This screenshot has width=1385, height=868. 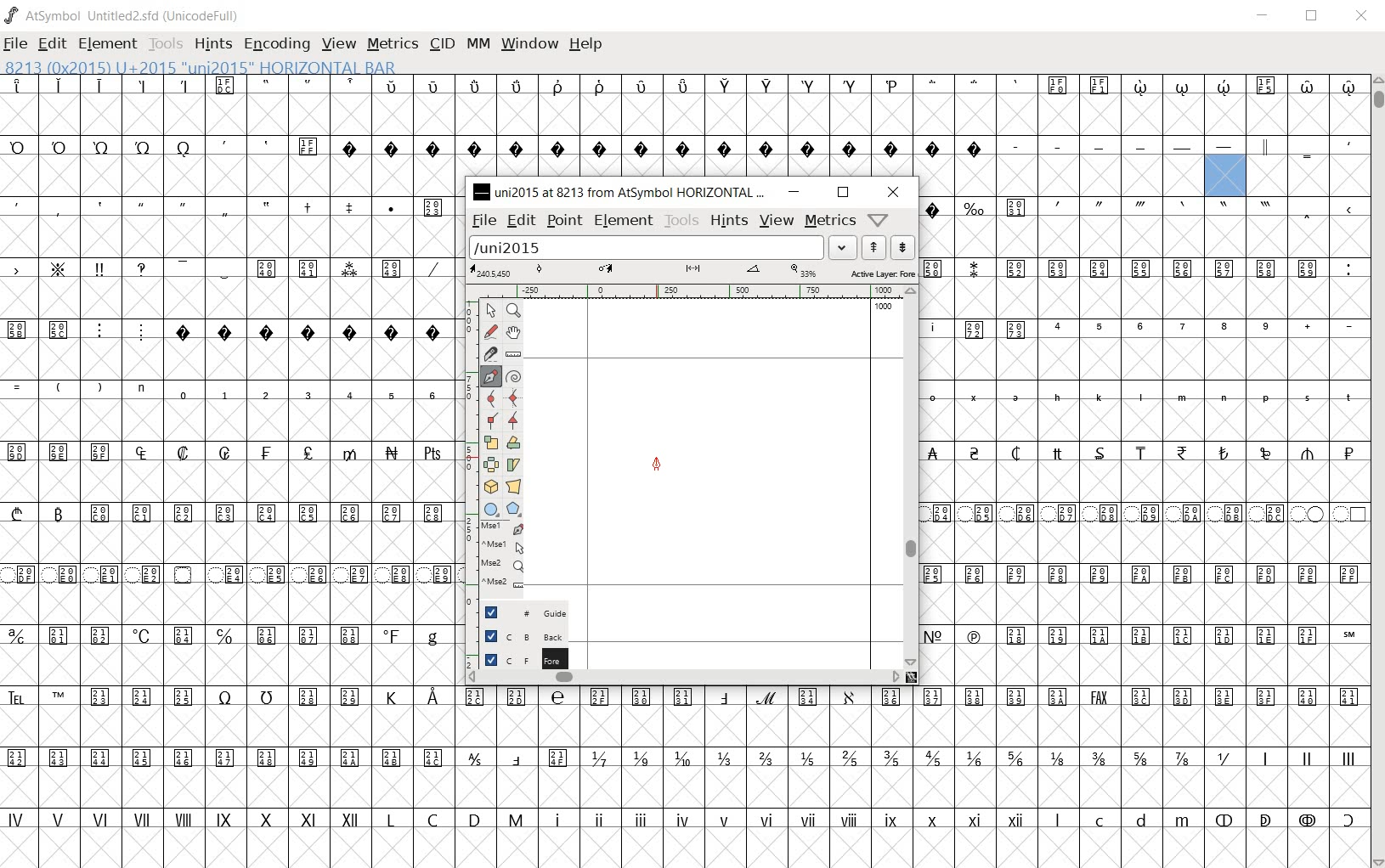 I want to click on Add a corner point, so click(x=490, y=421).